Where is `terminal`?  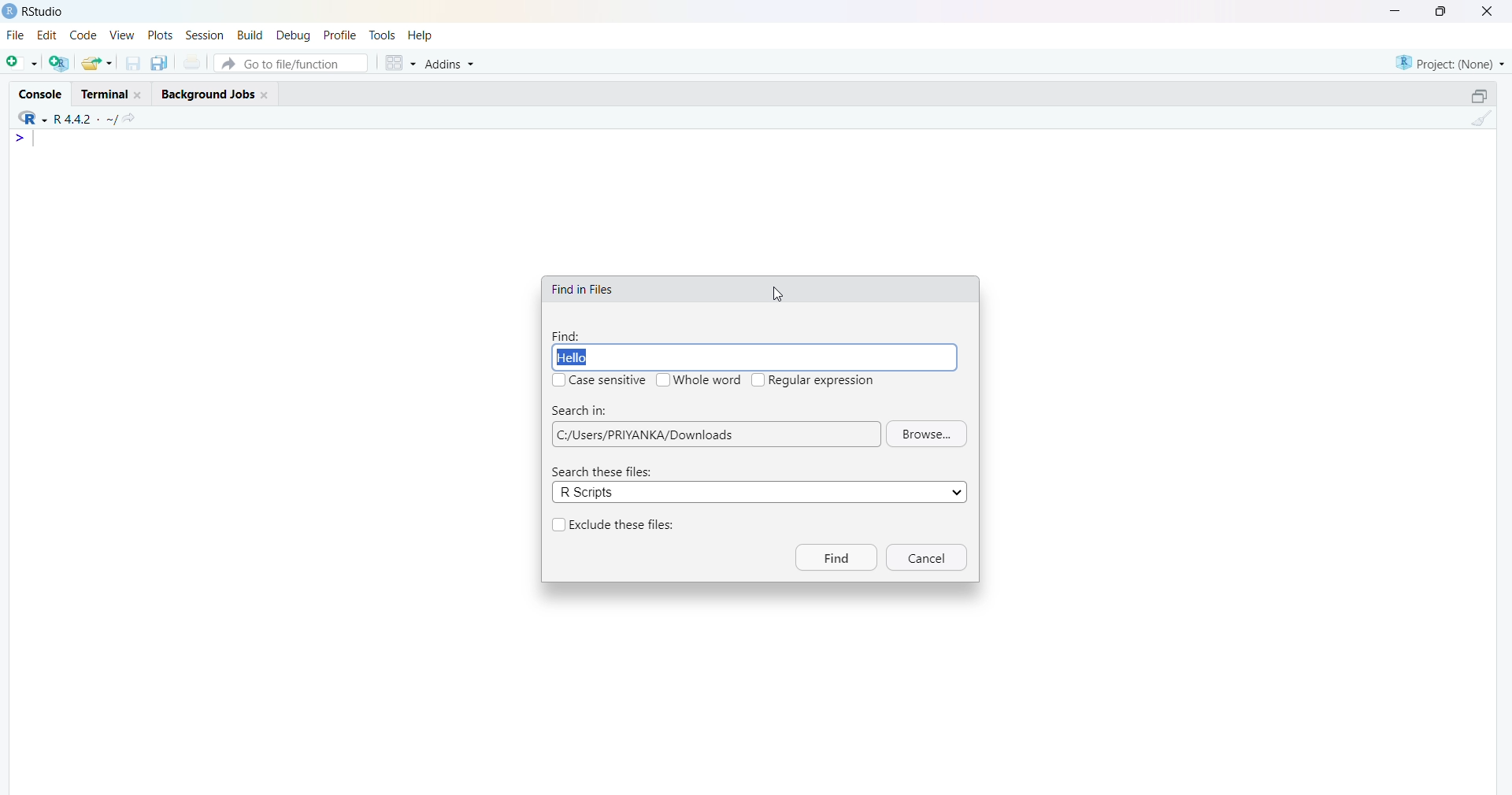 terminal is located at coordinates (104, 94).